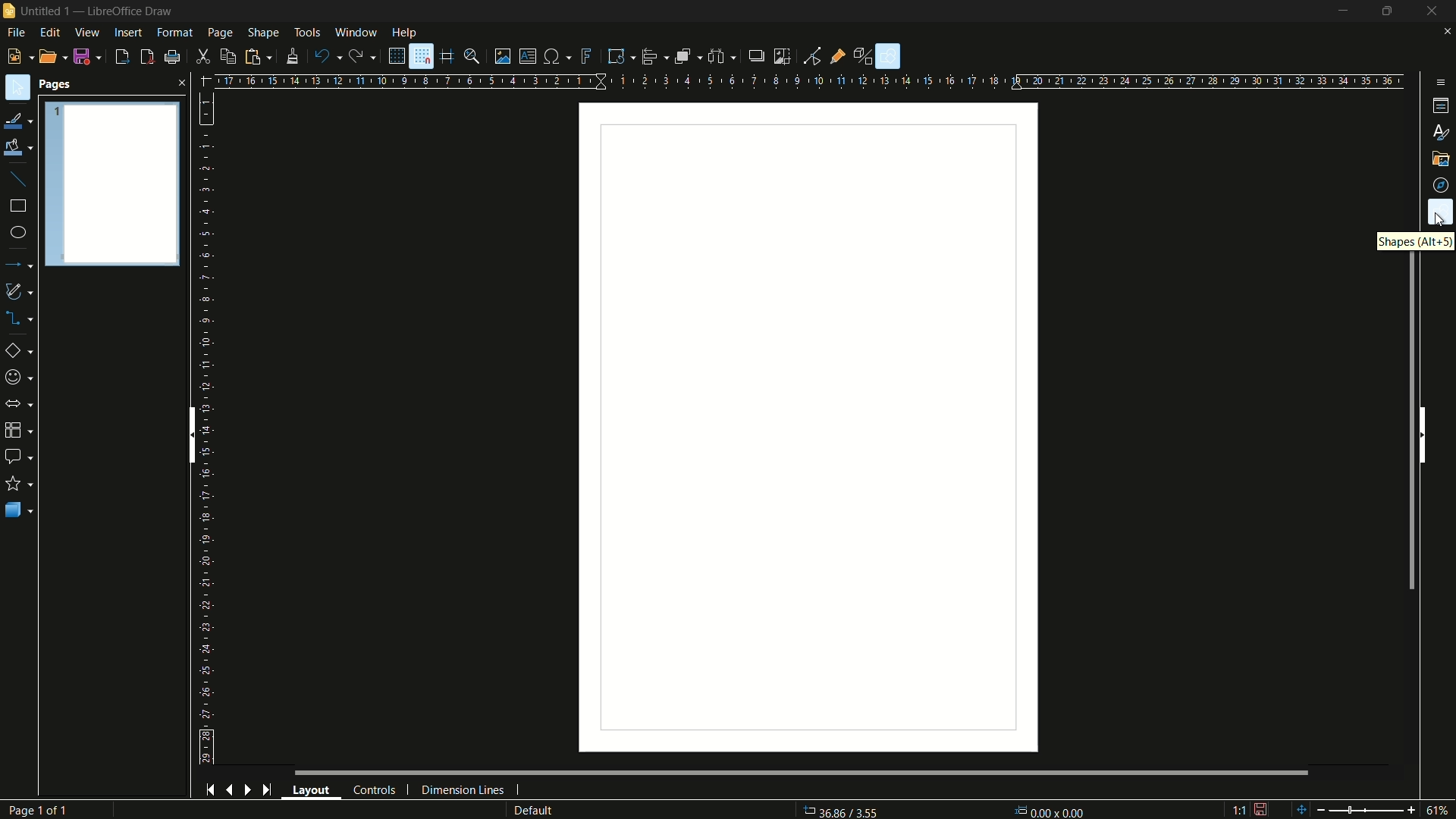 This screenshot has width=1456, height=819. Describe the element at coordinates (620, 55) in the screenshot. I see `transformations` at that location.